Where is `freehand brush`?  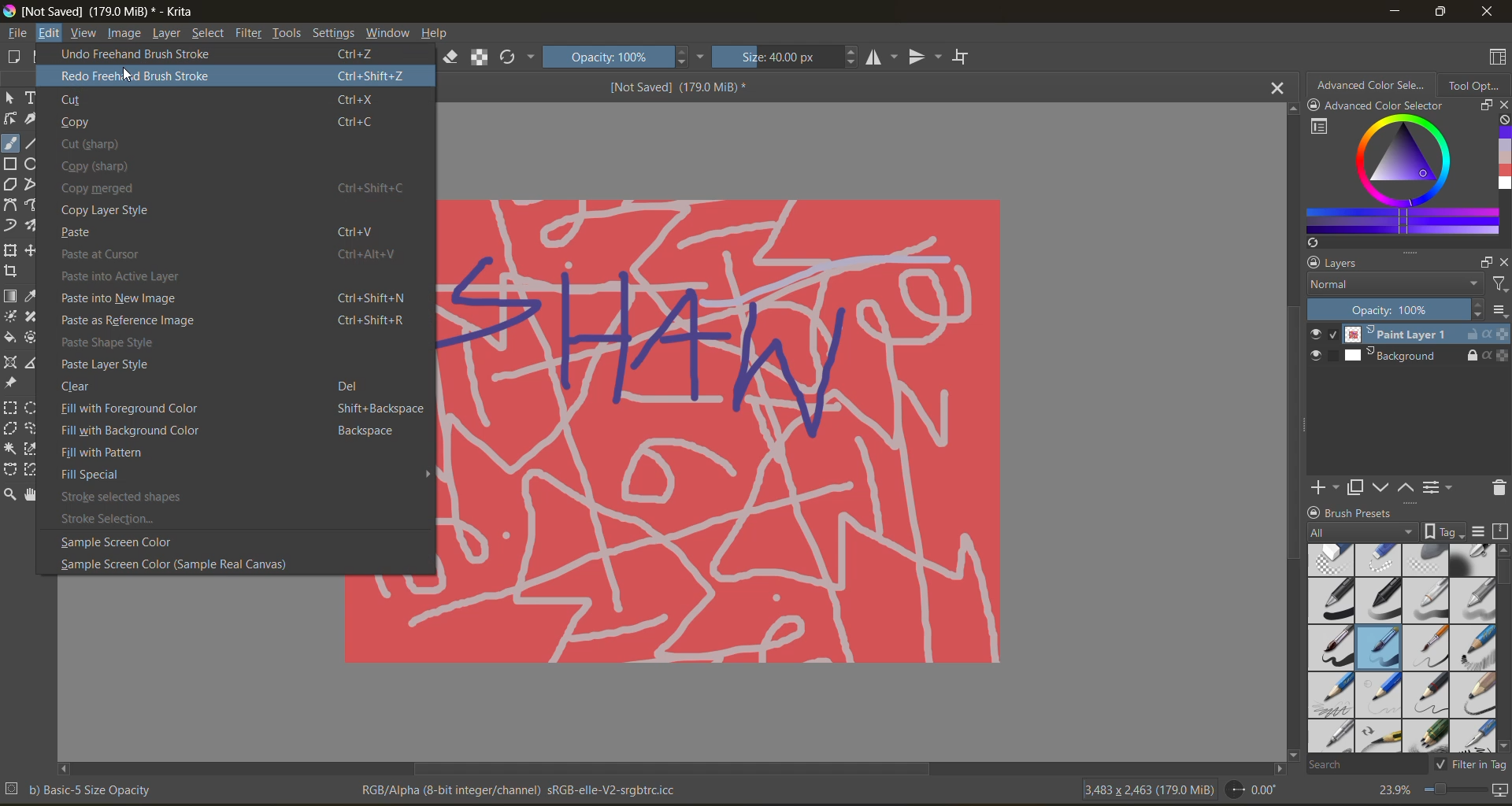 freehand brush is located at coordinates (9, 142).